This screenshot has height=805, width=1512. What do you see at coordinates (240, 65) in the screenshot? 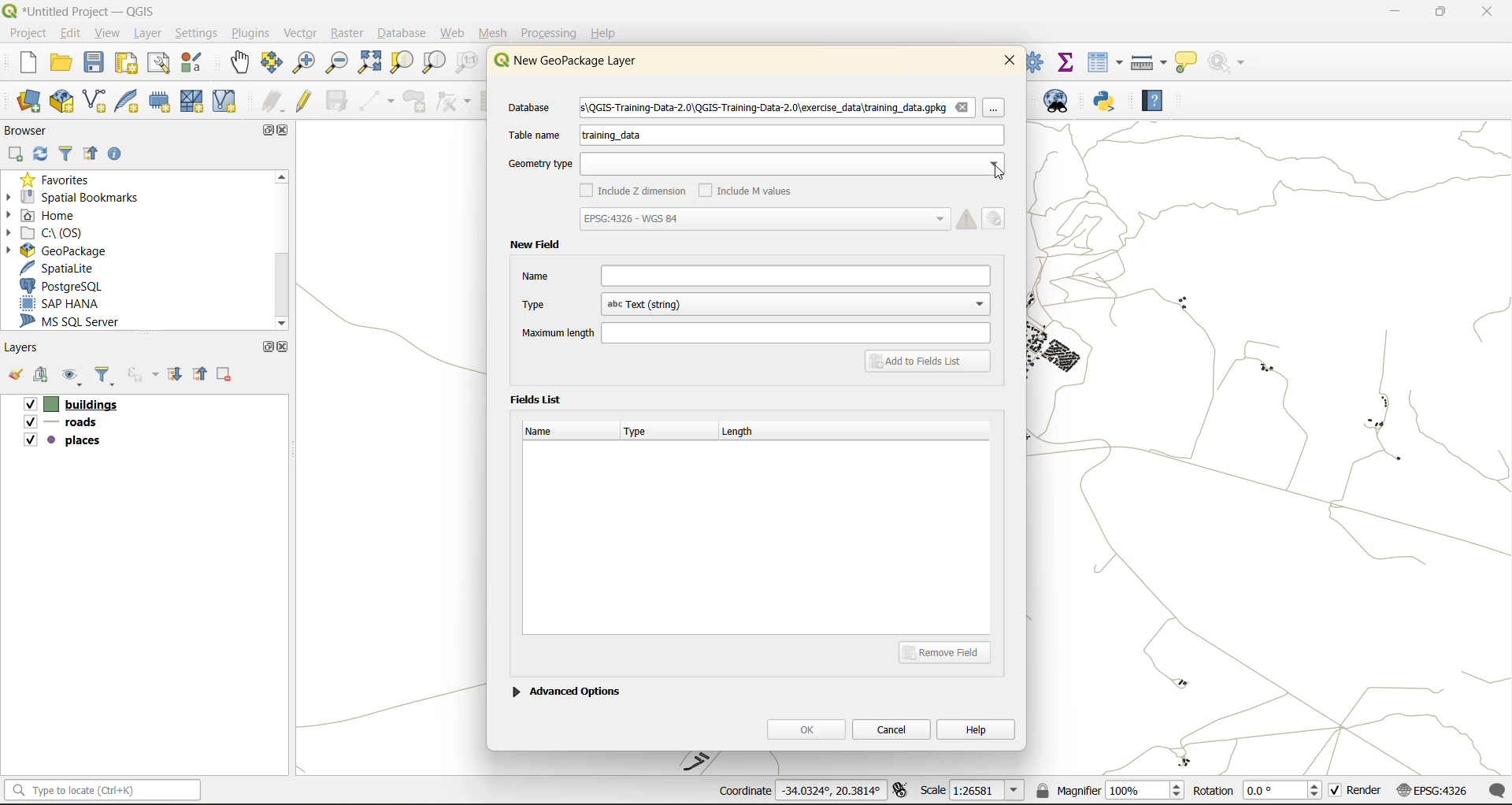
I see `pan map` at bounding box center [240, 65].